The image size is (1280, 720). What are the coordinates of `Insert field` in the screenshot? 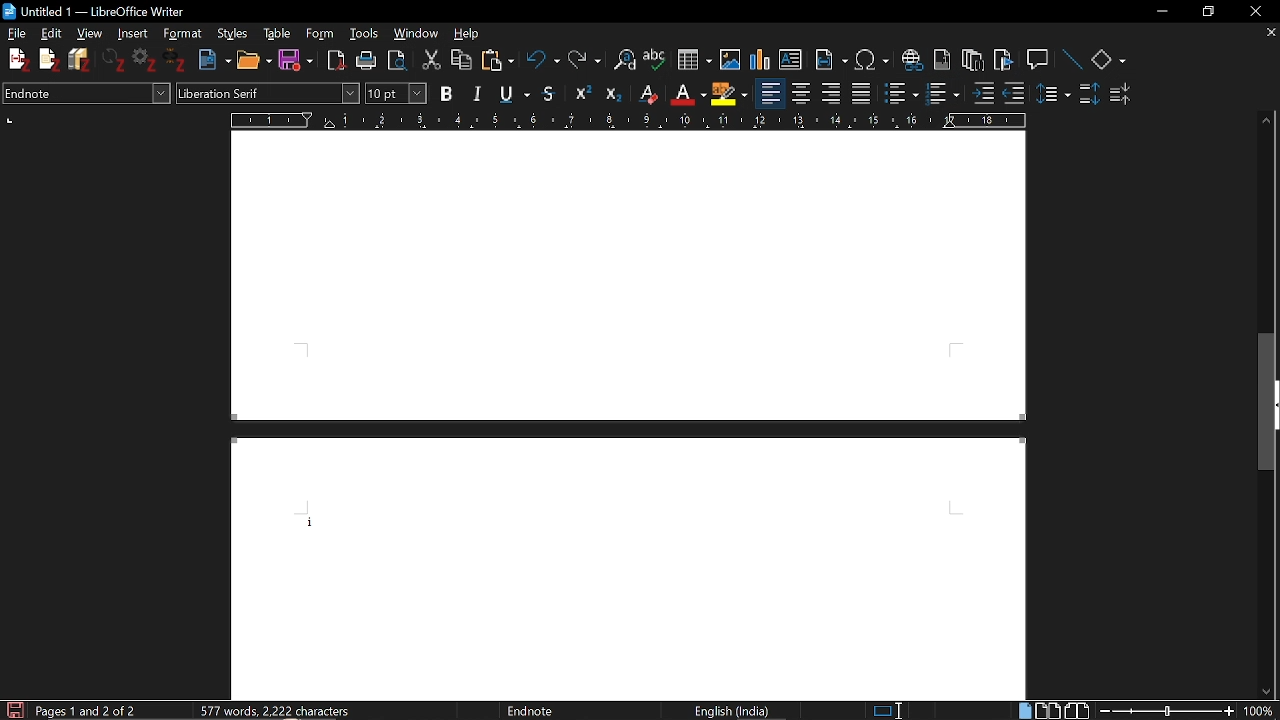 It's located at (832, 61).